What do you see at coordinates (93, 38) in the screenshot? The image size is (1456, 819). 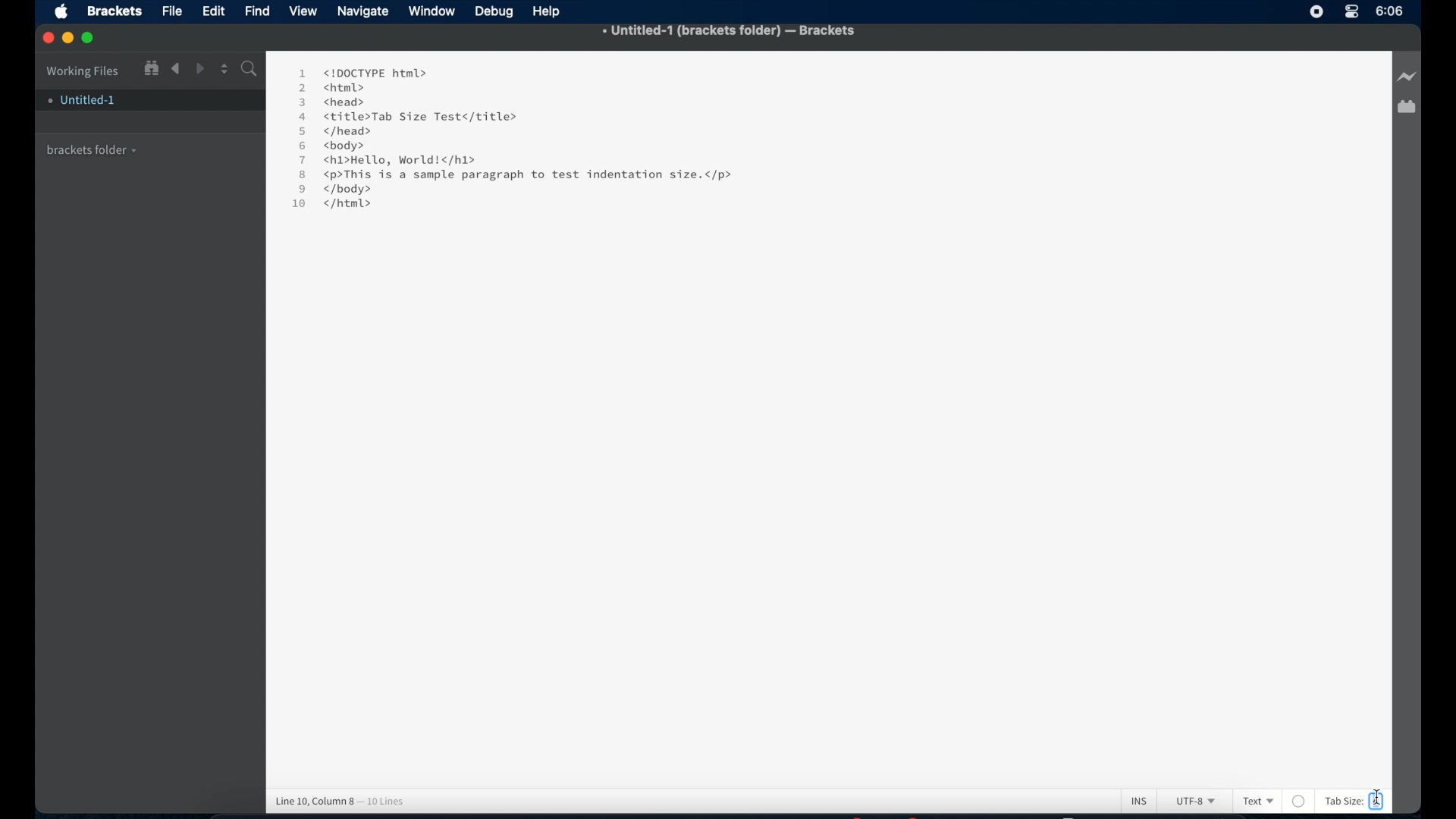 I see `Maximize` at bounding box center [93, 38].